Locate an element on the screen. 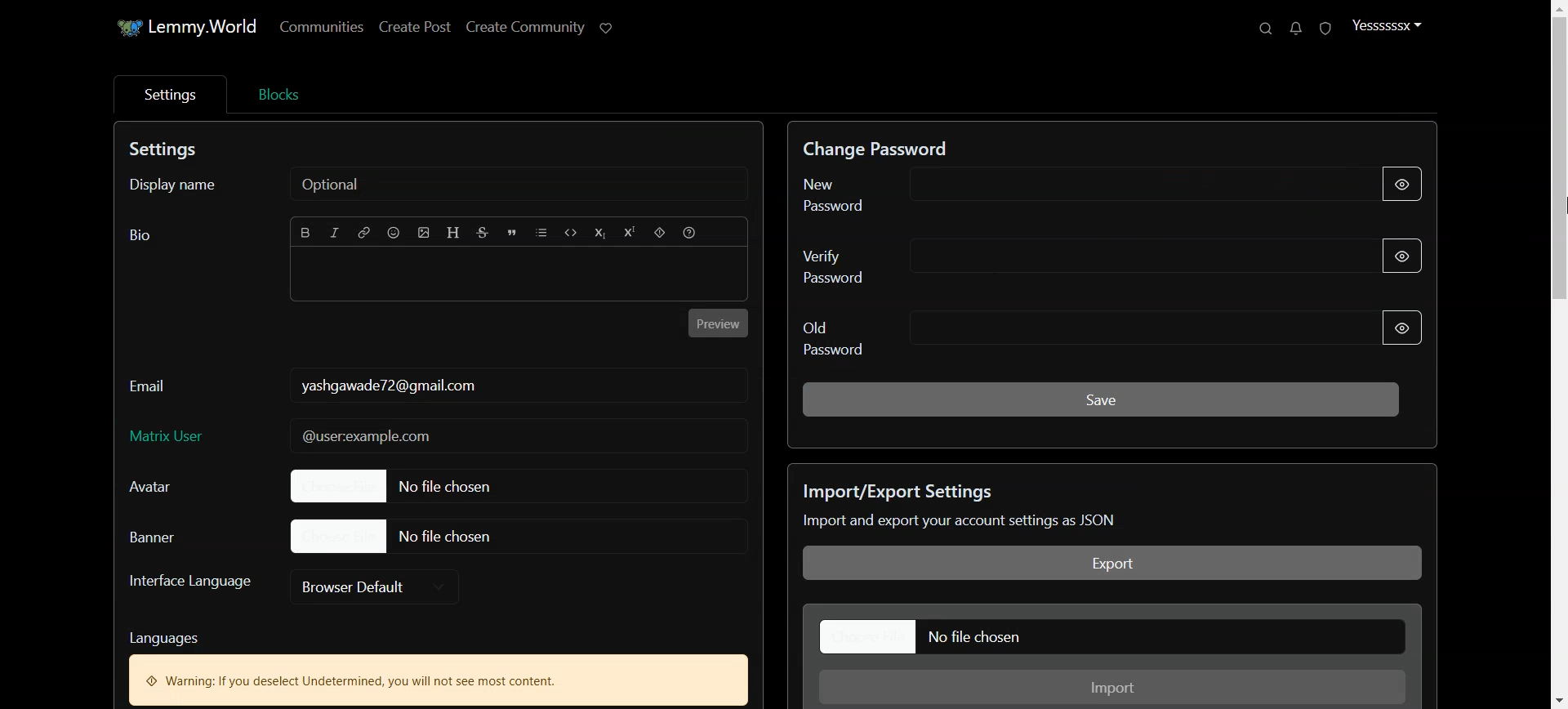 This screenshot has width=1568, height=709. bio is located at coordinates (136, 238).